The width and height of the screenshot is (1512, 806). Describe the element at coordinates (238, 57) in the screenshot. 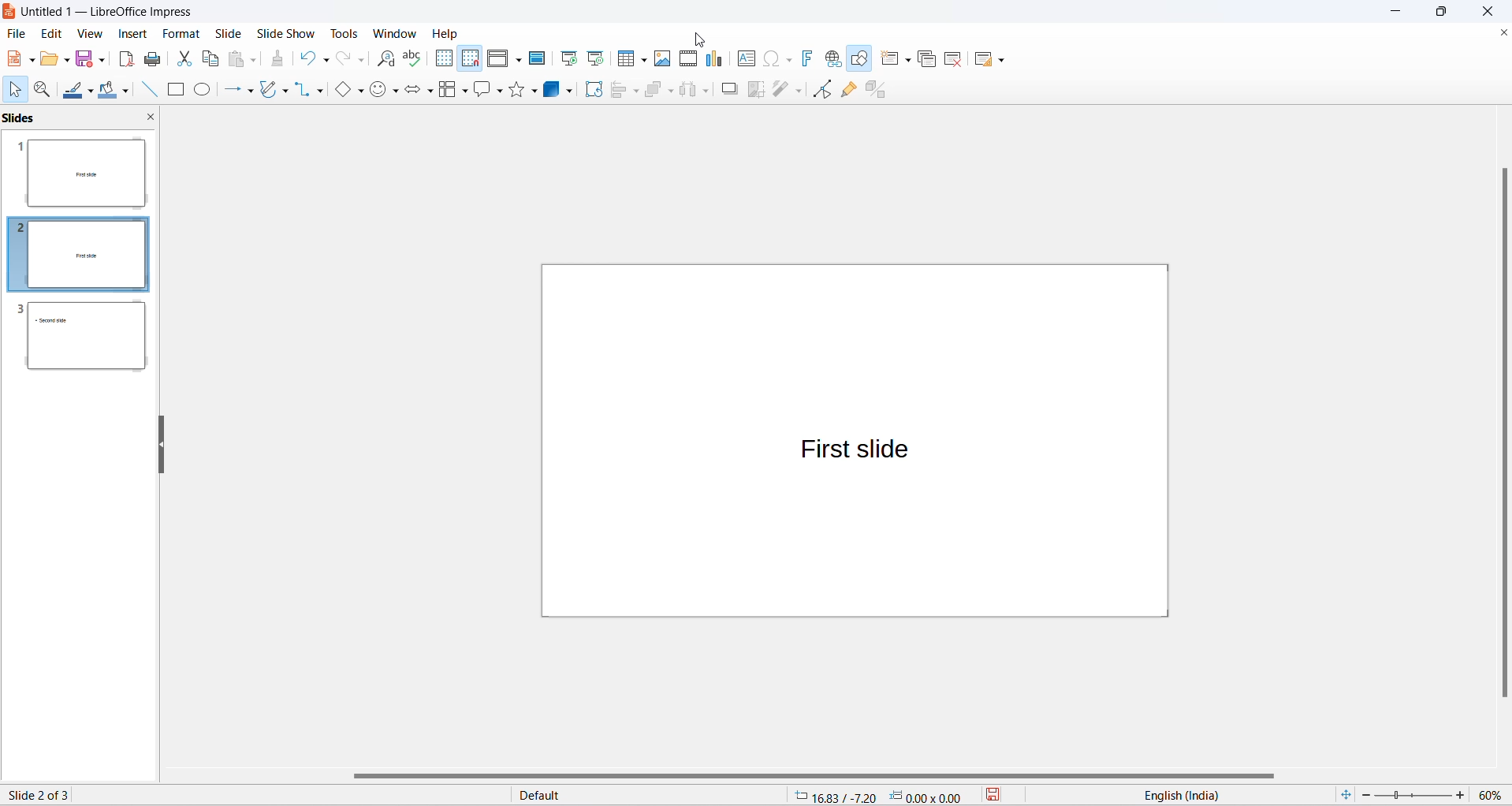

I see `paste` at that location.